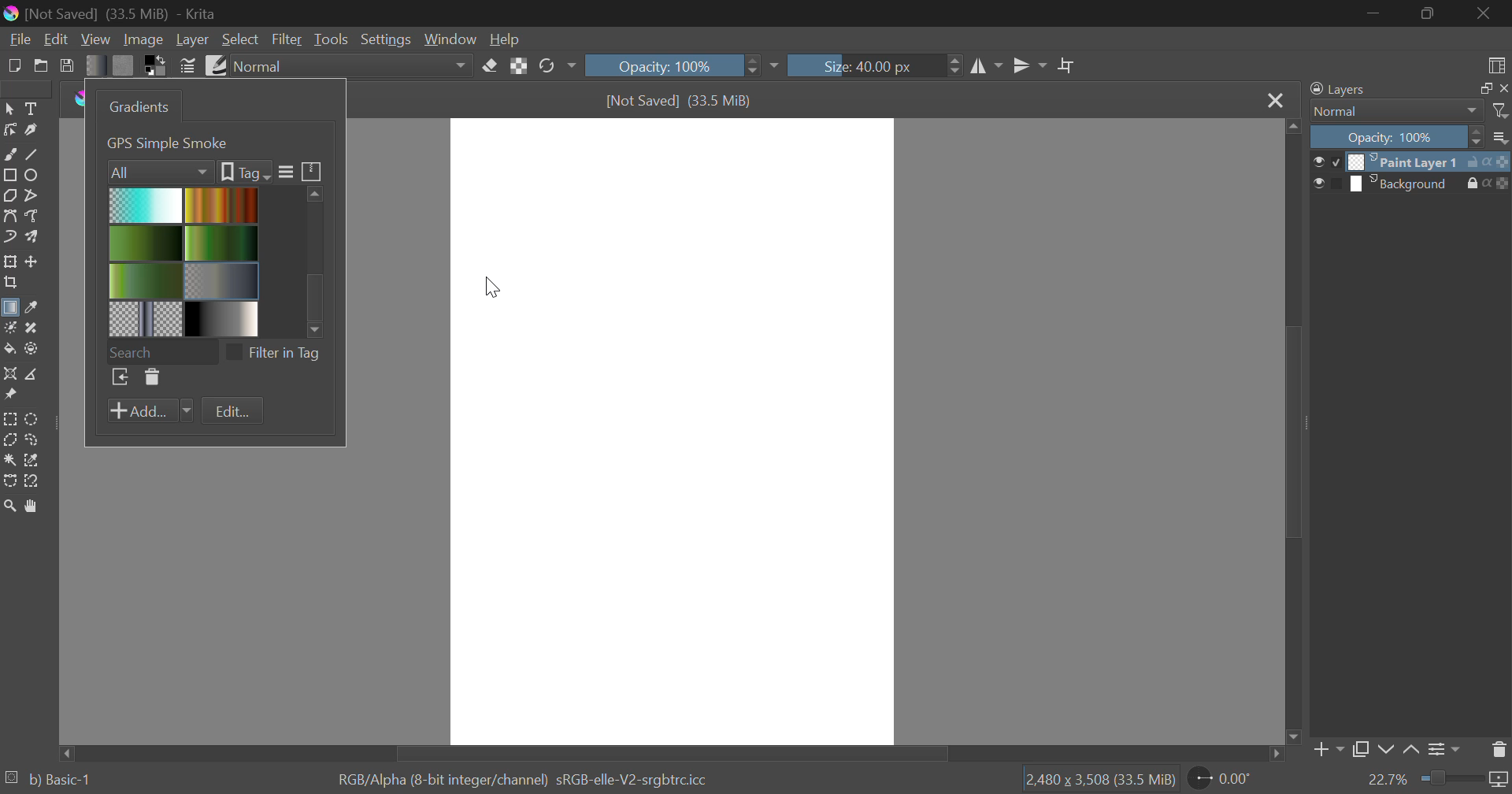  I want to click on Magnetic Selection, so click(31, 481).